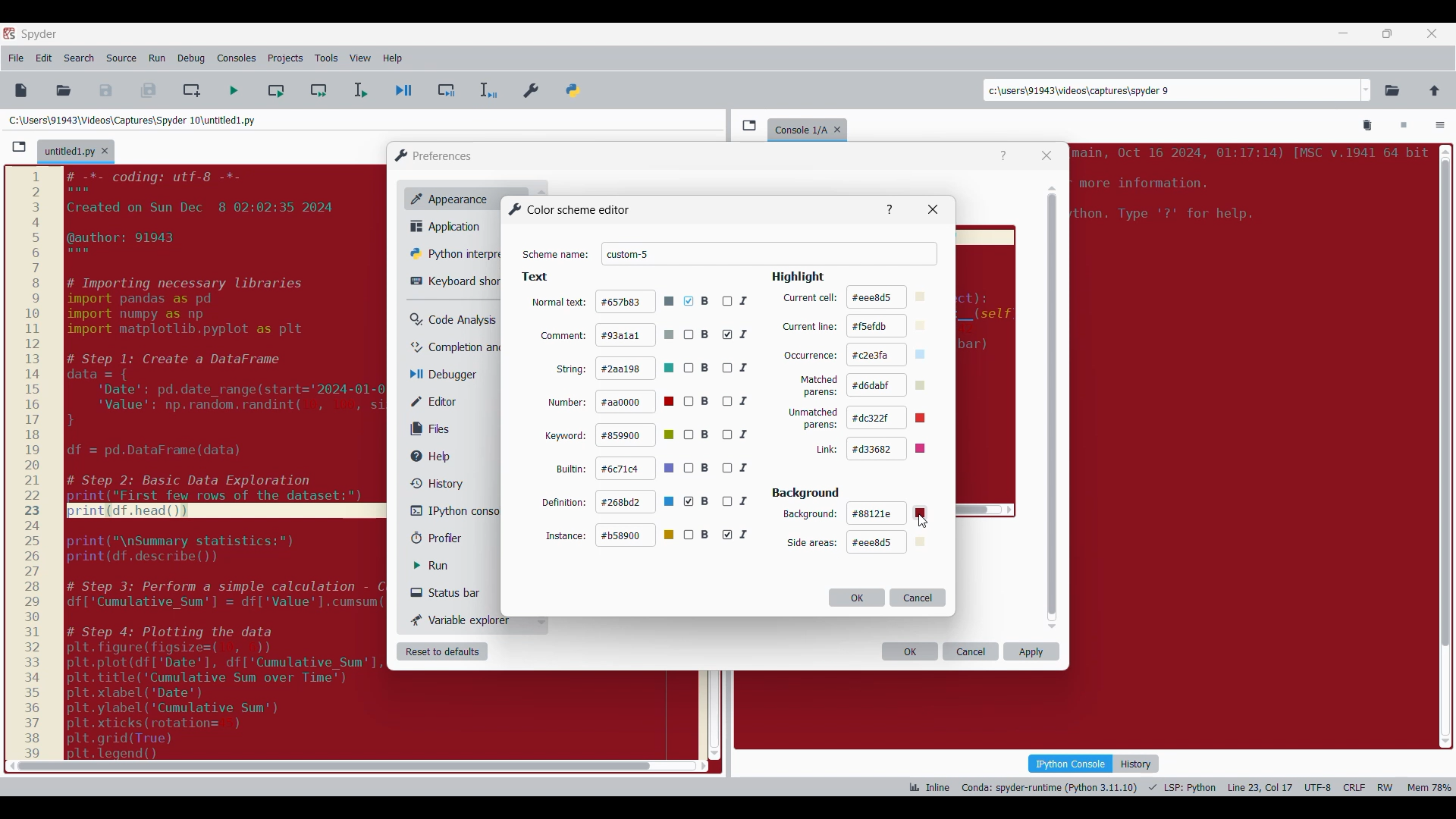 Image resolution: width=1456 pixels, height=819 pixels. I want to click on occurrence, so click(811, 356).